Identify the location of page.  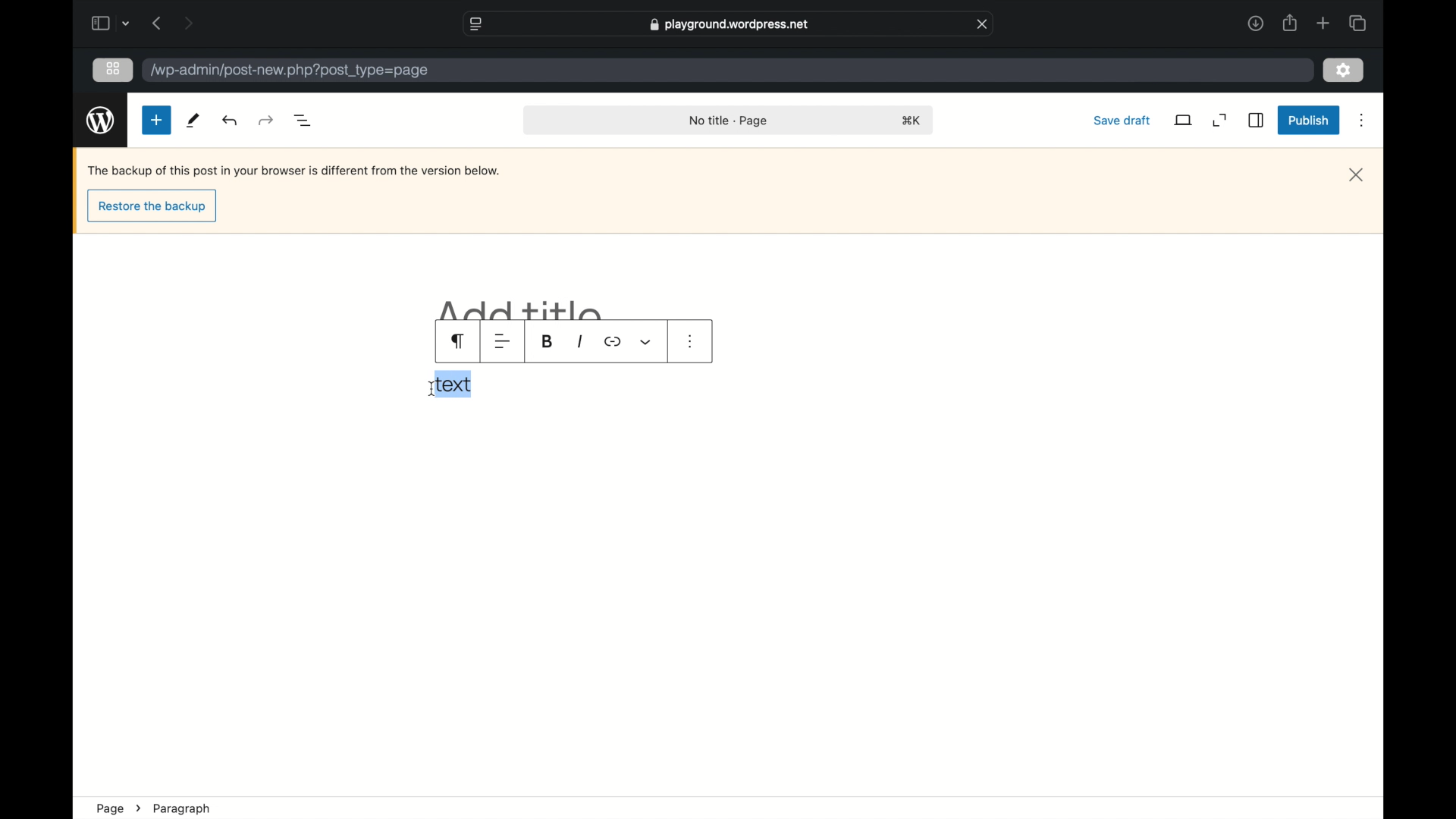
(109, 808).